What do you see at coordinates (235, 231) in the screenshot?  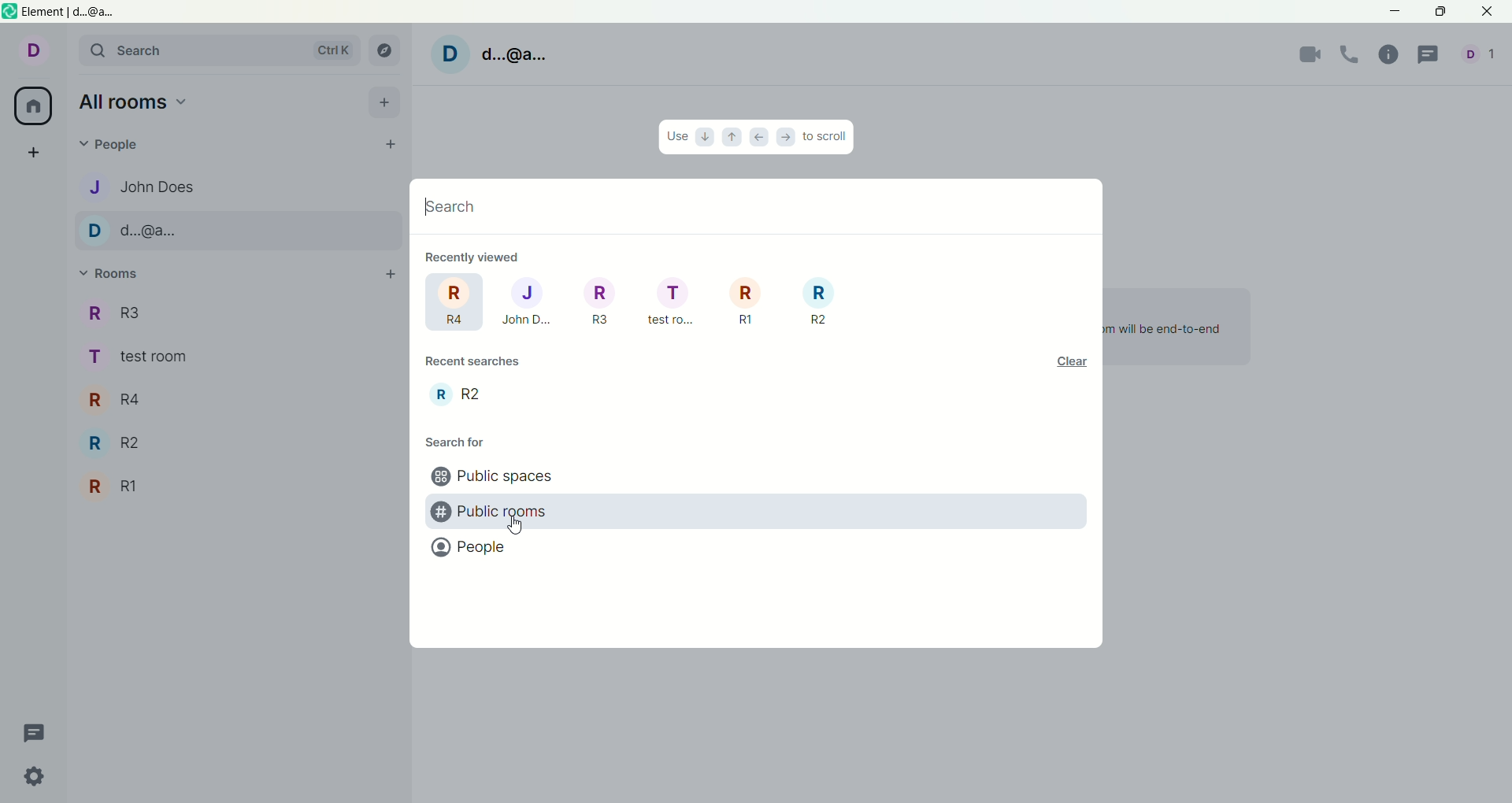 I see `D, person 2` at bounding box center [235, 231].